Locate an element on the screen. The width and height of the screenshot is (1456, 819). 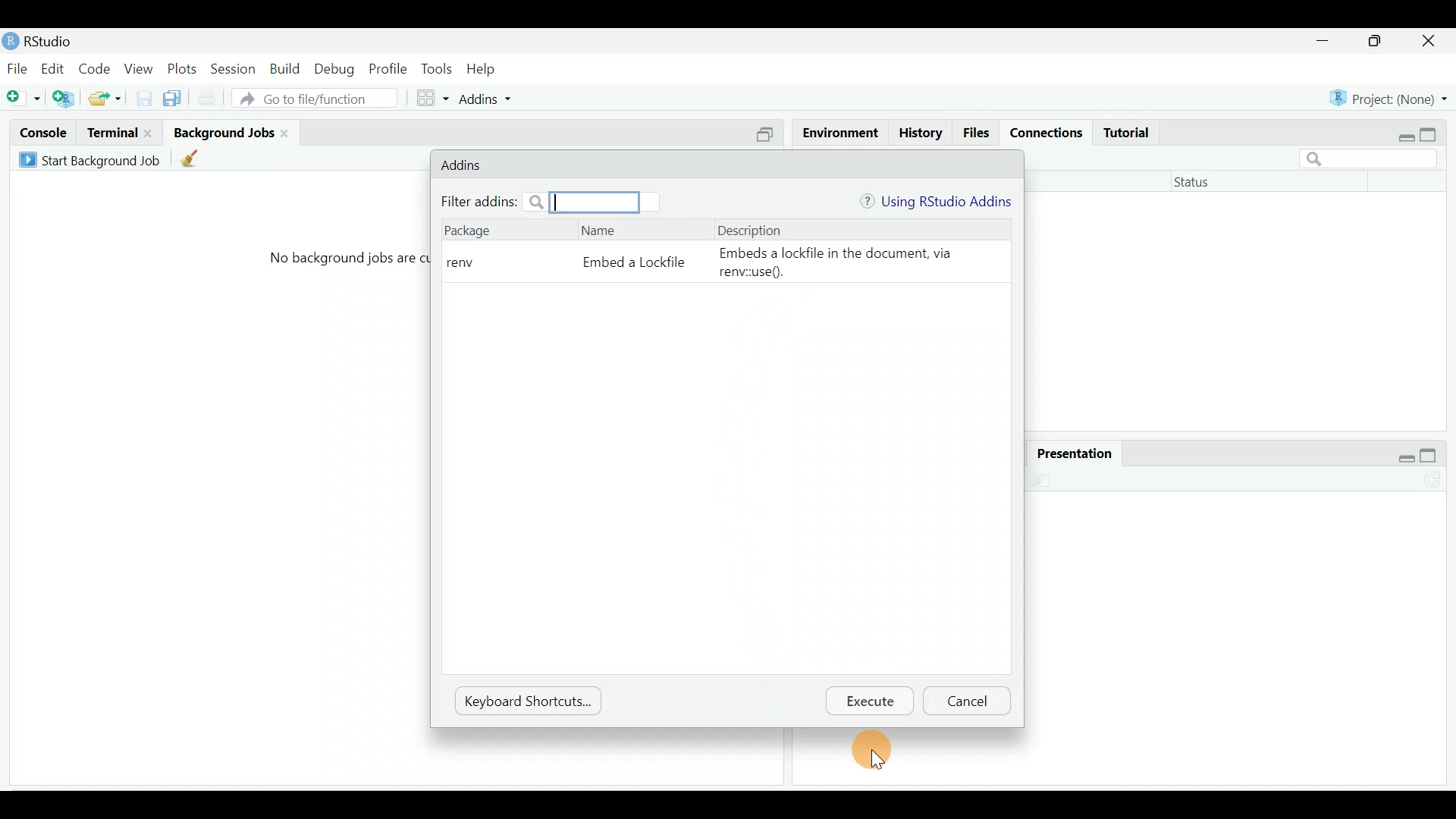
maximize is located at coordinates (1434, 132).